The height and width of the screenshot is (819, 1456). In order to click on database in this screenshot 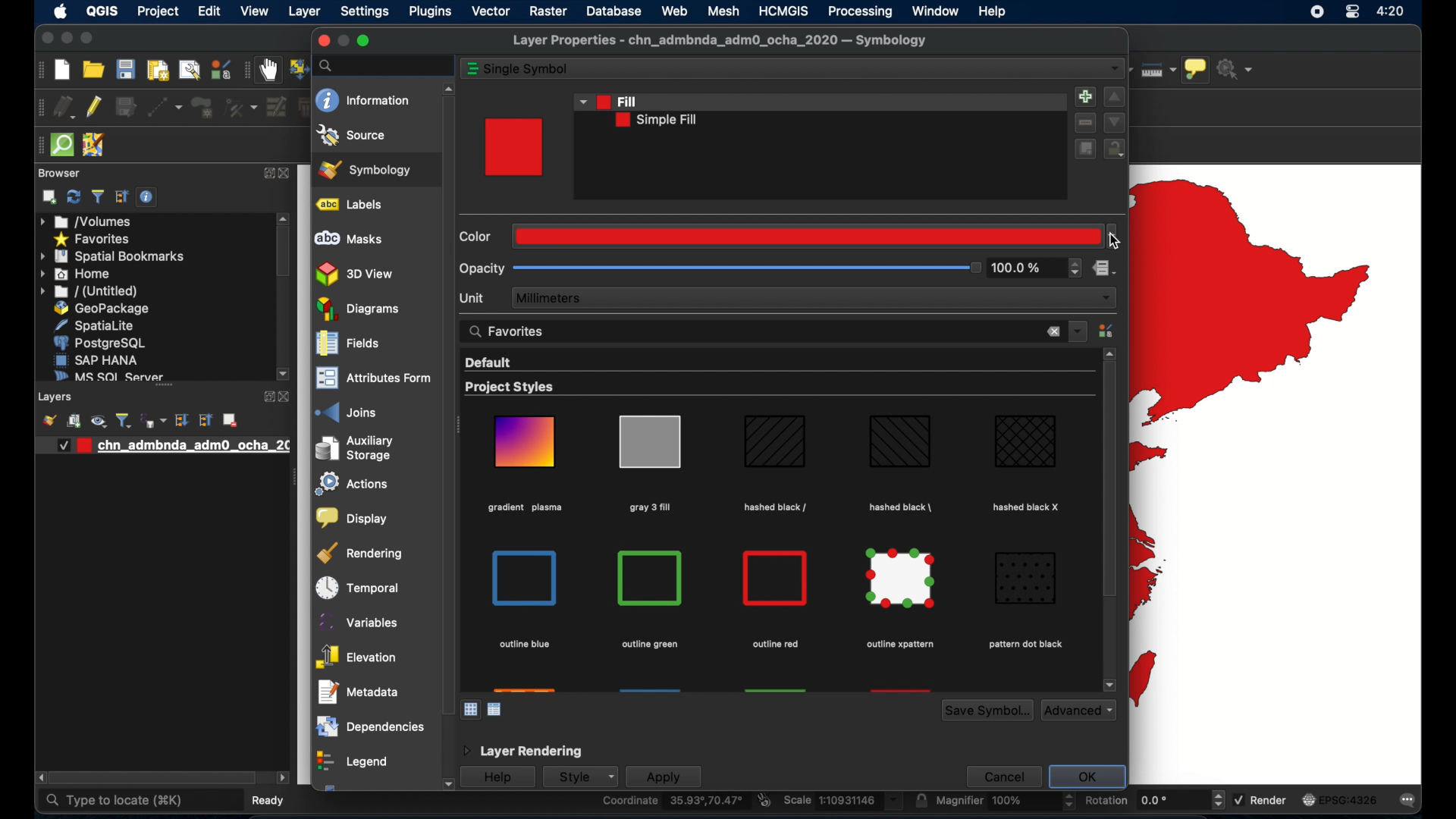, I will do `click(616, 11)`.